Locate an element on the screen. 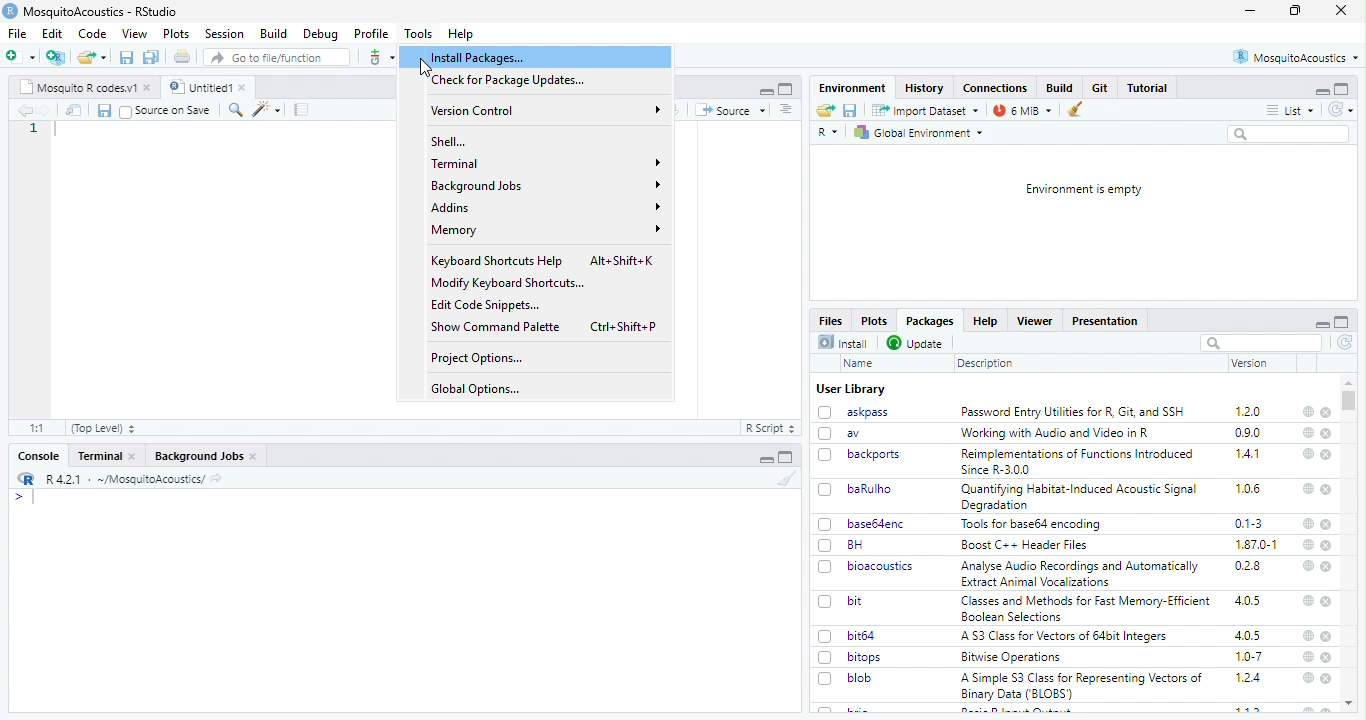 The width and height of the screenshot is (1366, 720). checkbox is located at coordinates (828, 637).